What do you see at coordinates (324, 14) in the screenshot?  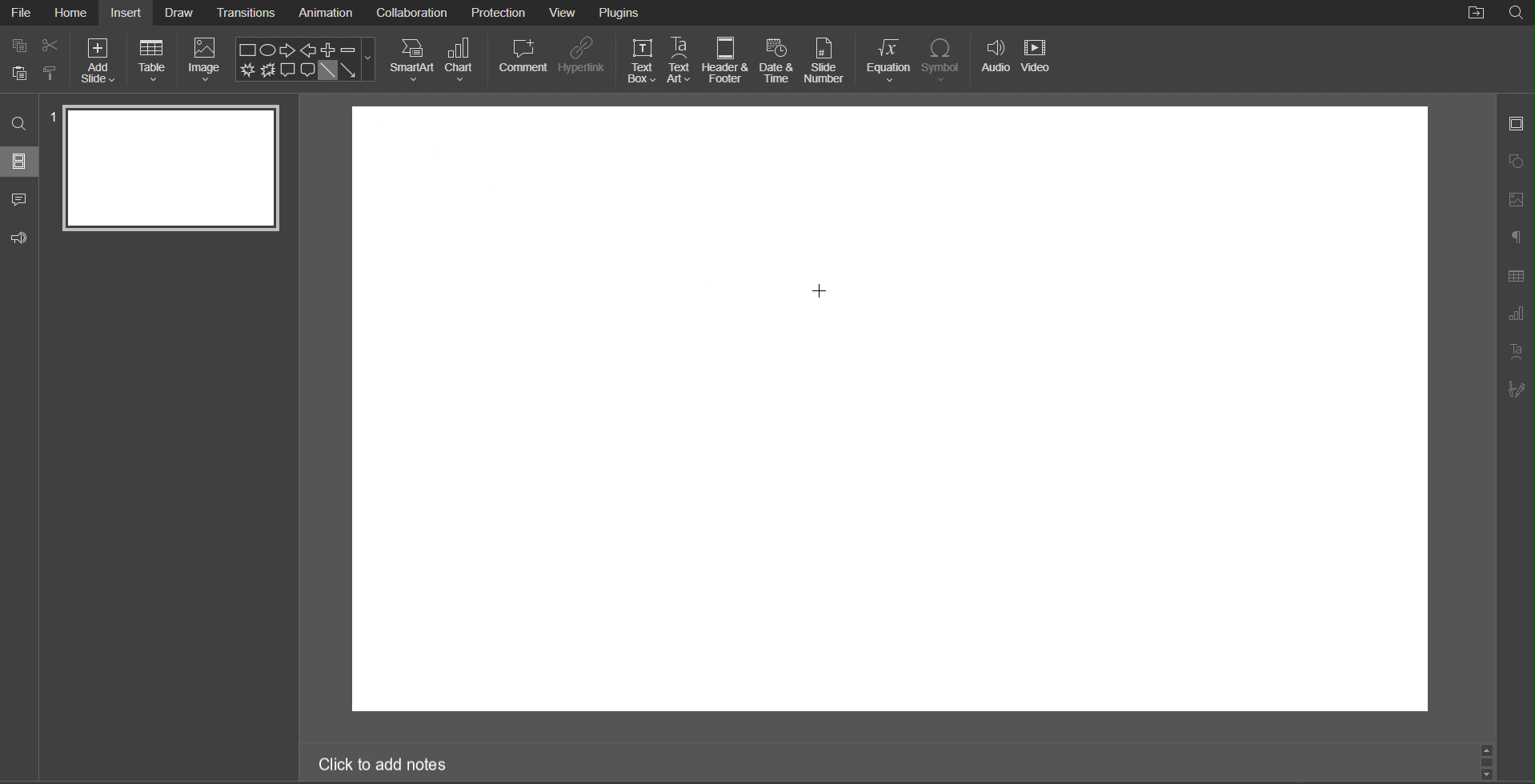 I see `Animation` at bounding box center [324, 14].